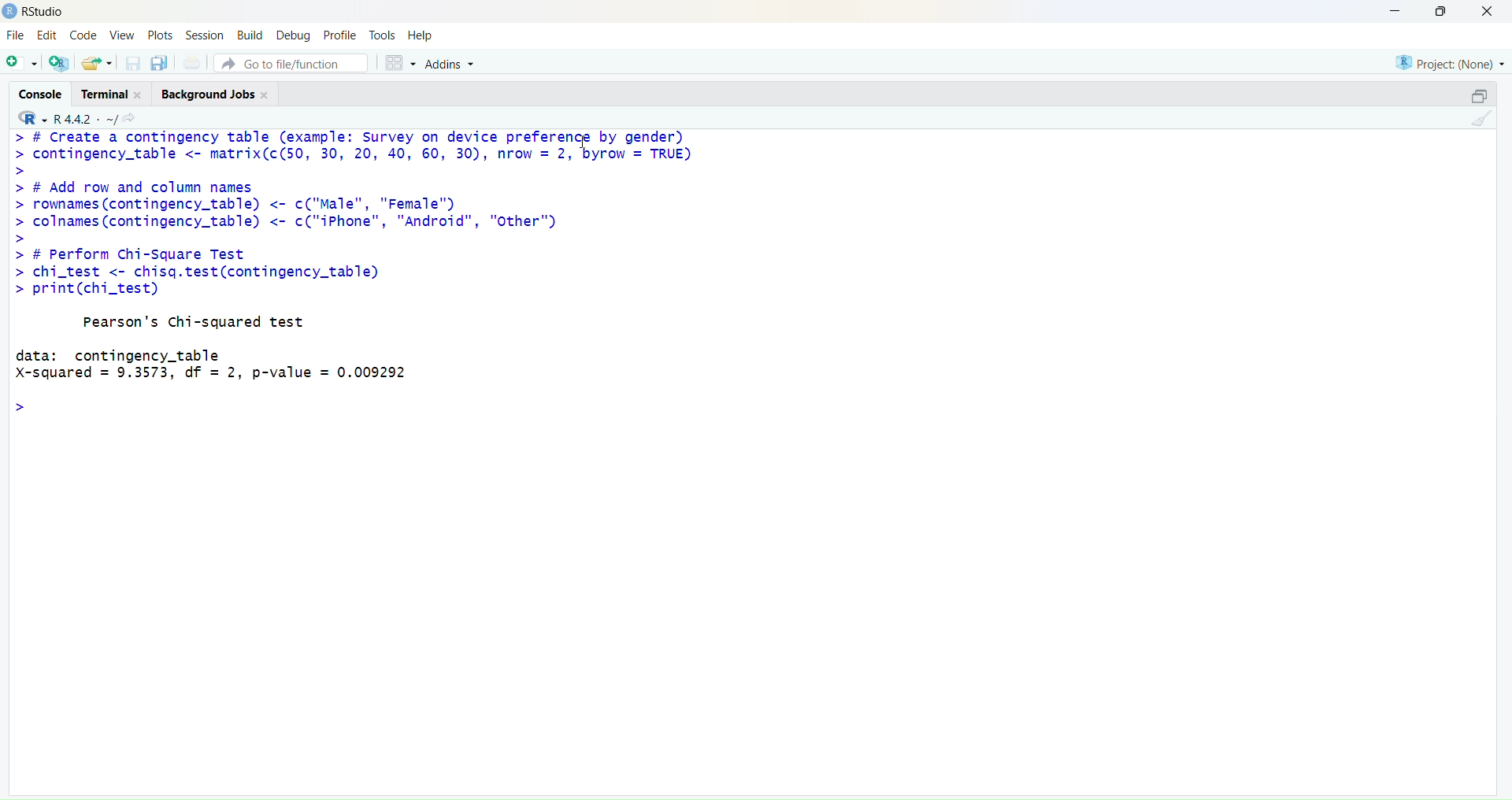 This screenshot has height=800, width=1512. What do you see at coordinates (22, 172) in the screenshot?
I see `>` at bounding box center [22, 172].